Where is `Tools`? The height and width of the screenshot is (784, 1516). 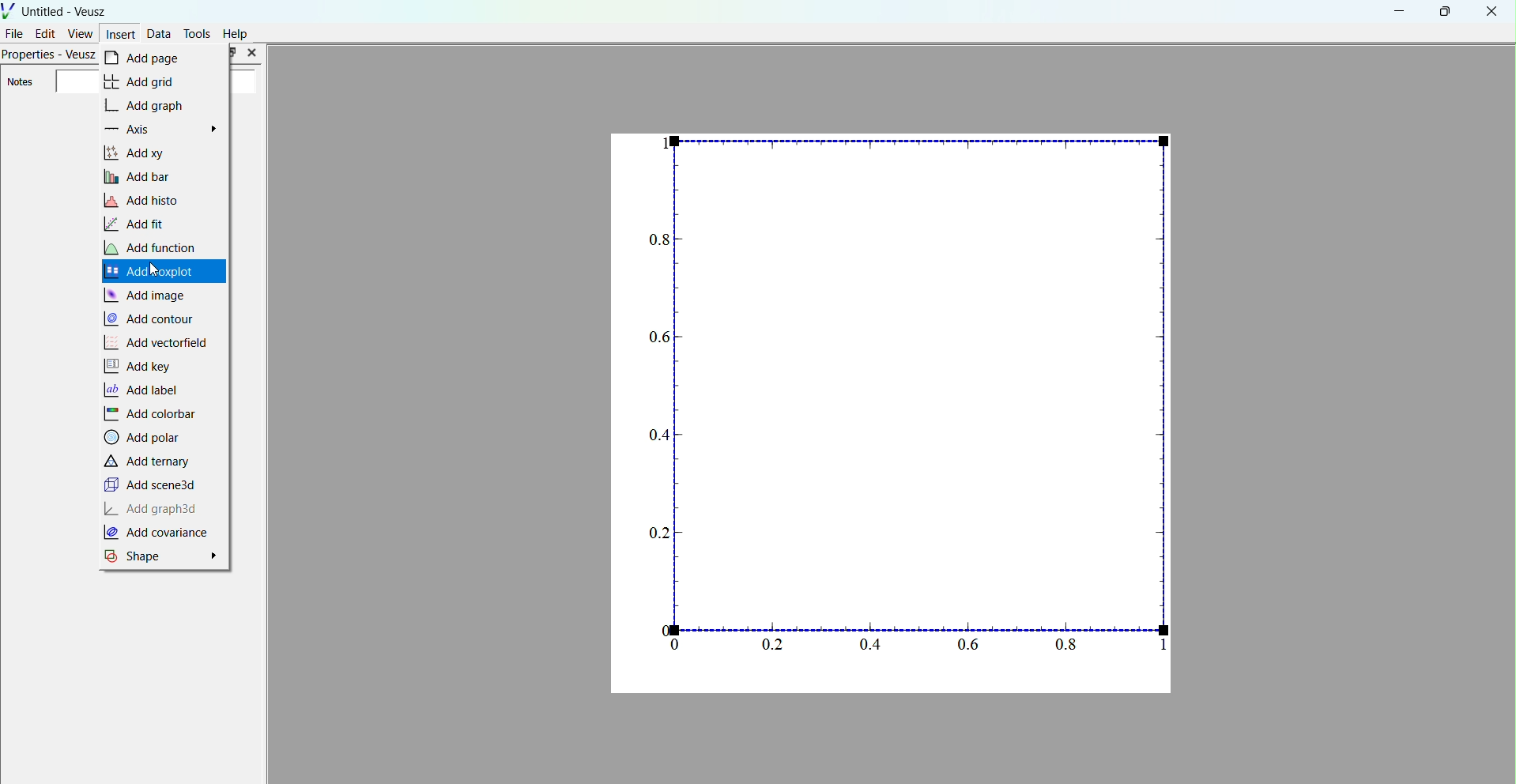
Tools is located at coordinates (198, 33).